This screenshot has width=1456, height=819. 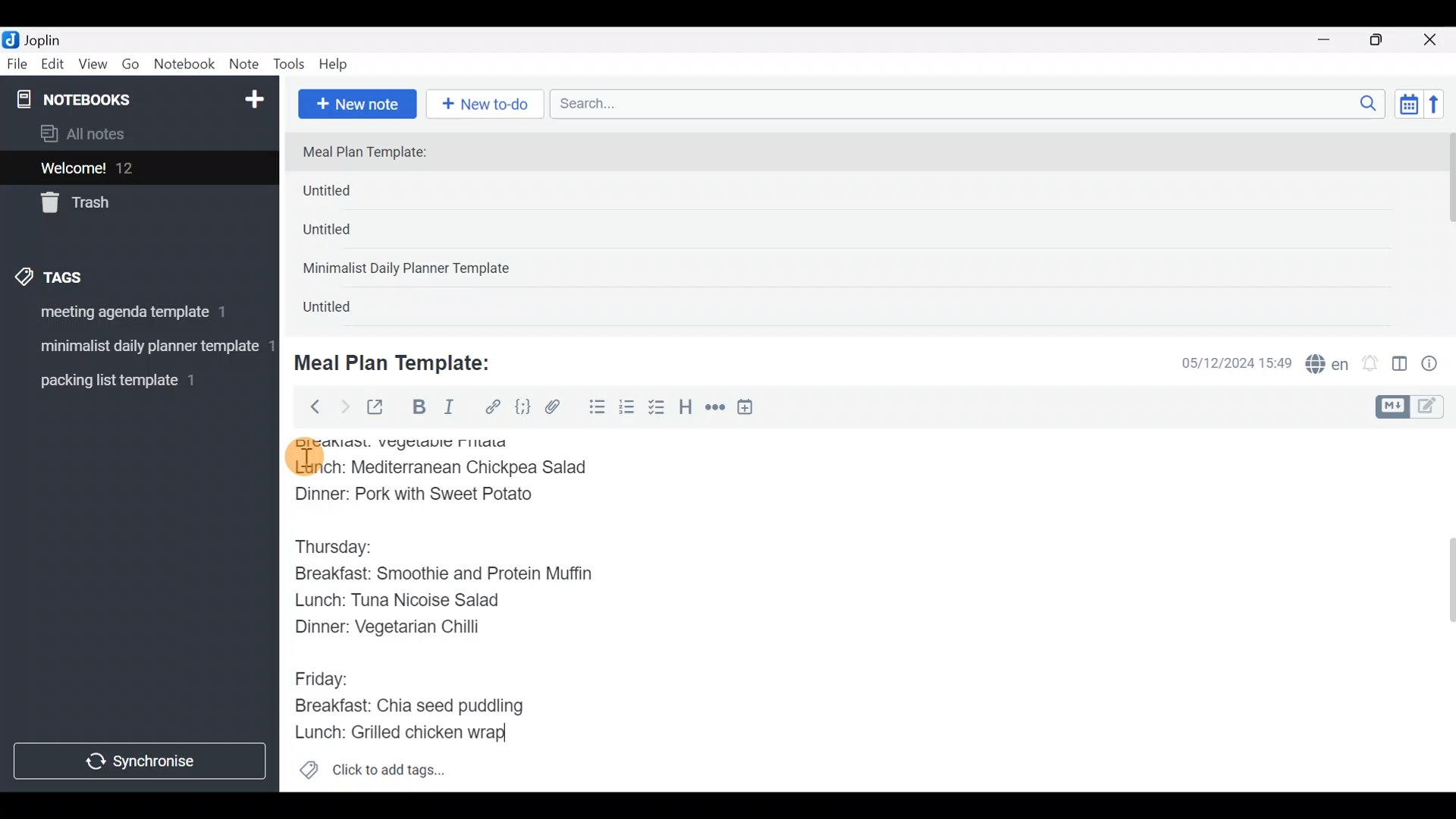 I want to click on File, so click(x=18, y=64).